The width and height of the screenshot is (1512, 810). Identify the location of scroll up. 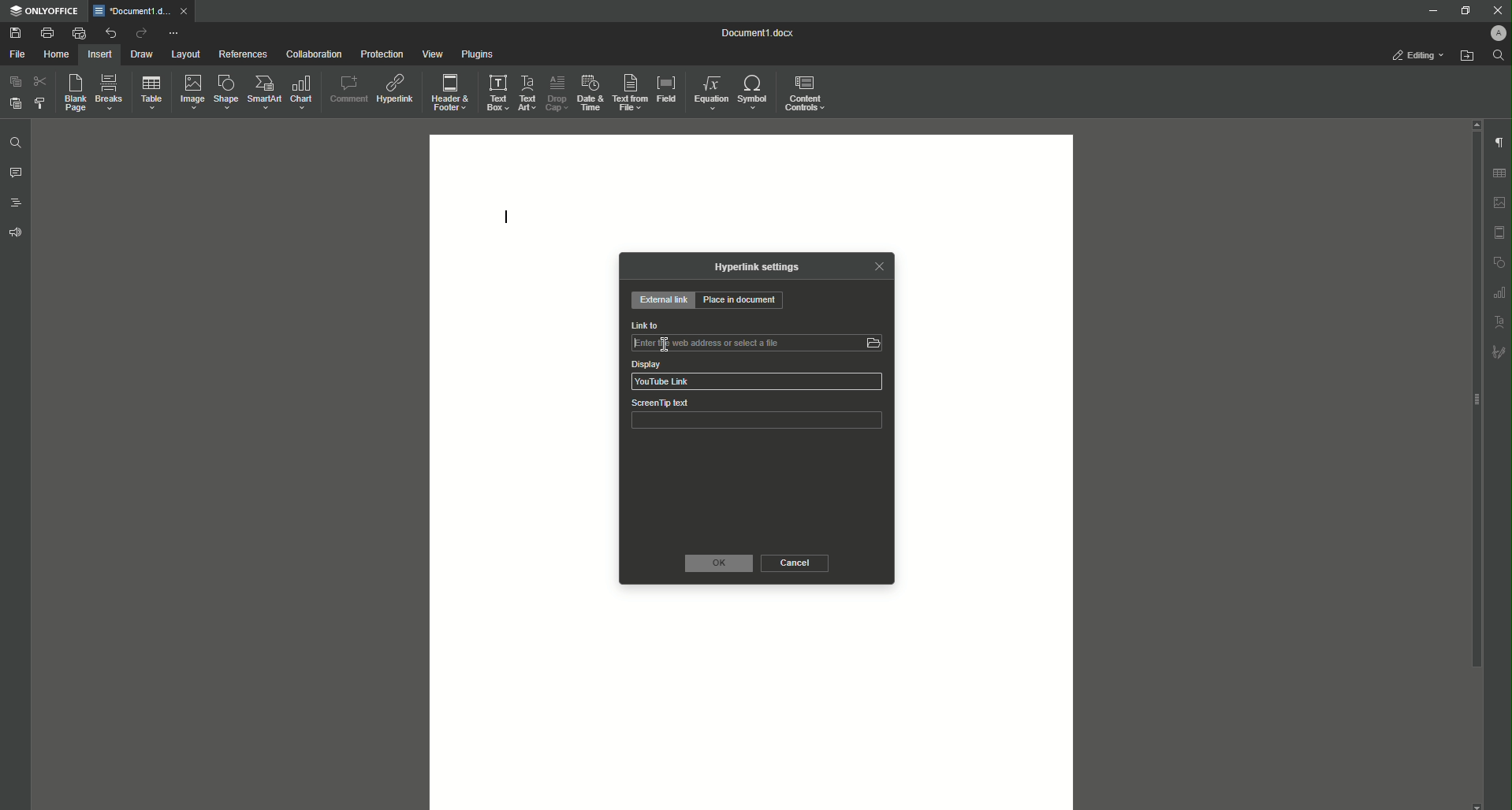
(1477, 124).